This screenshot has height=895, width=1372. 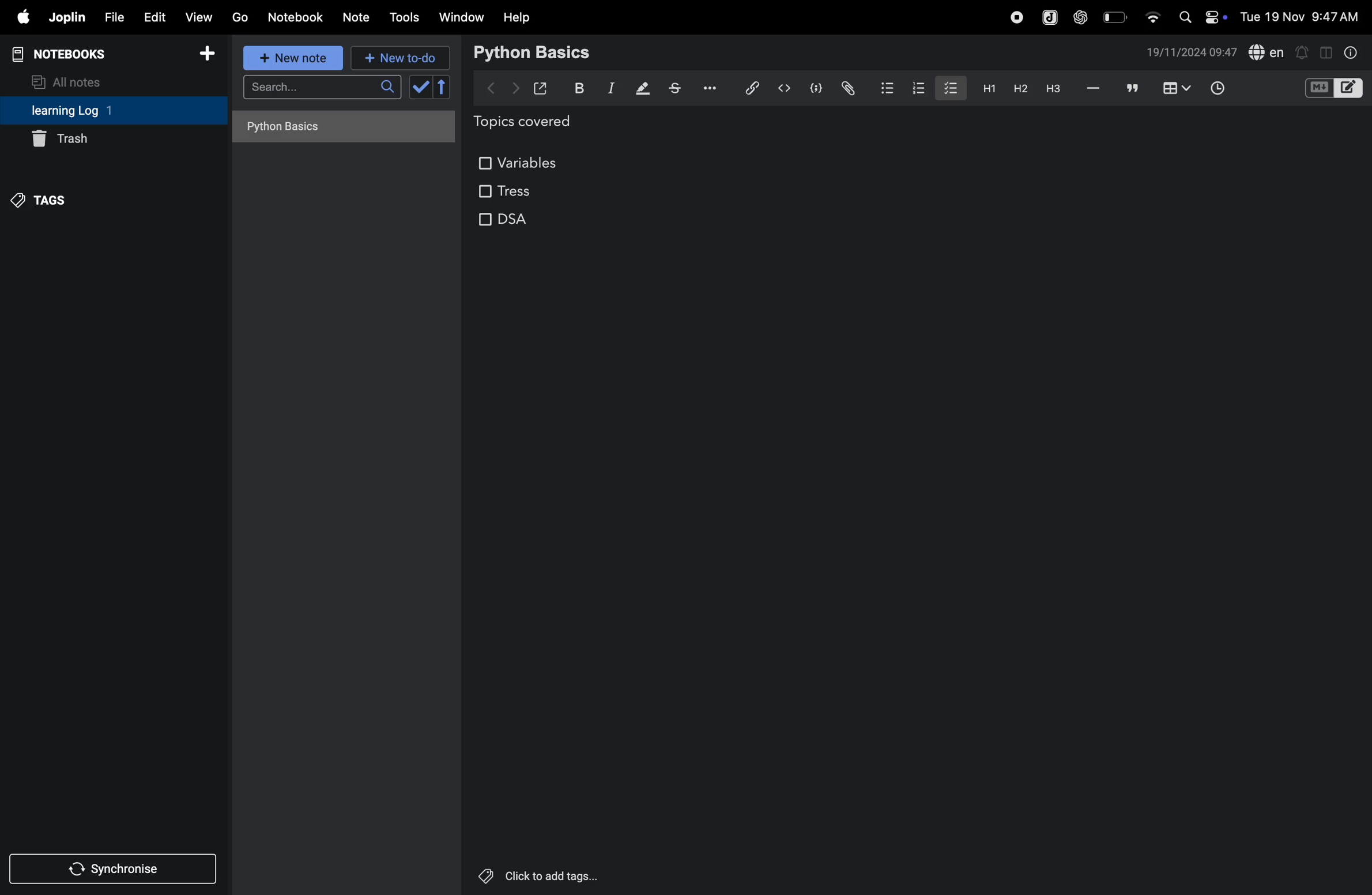 I want to click on variables, so click(x=521, y=160).